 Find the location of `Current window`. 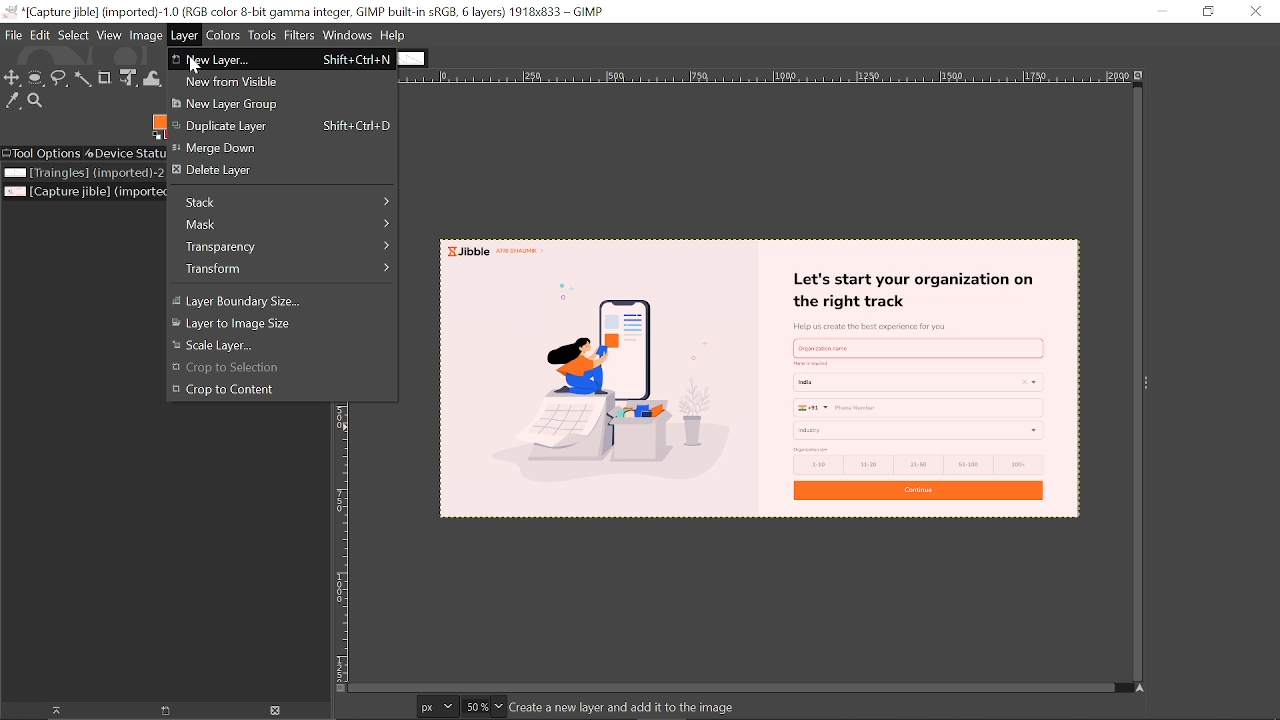

Current window is located at coordinates (316, 18).